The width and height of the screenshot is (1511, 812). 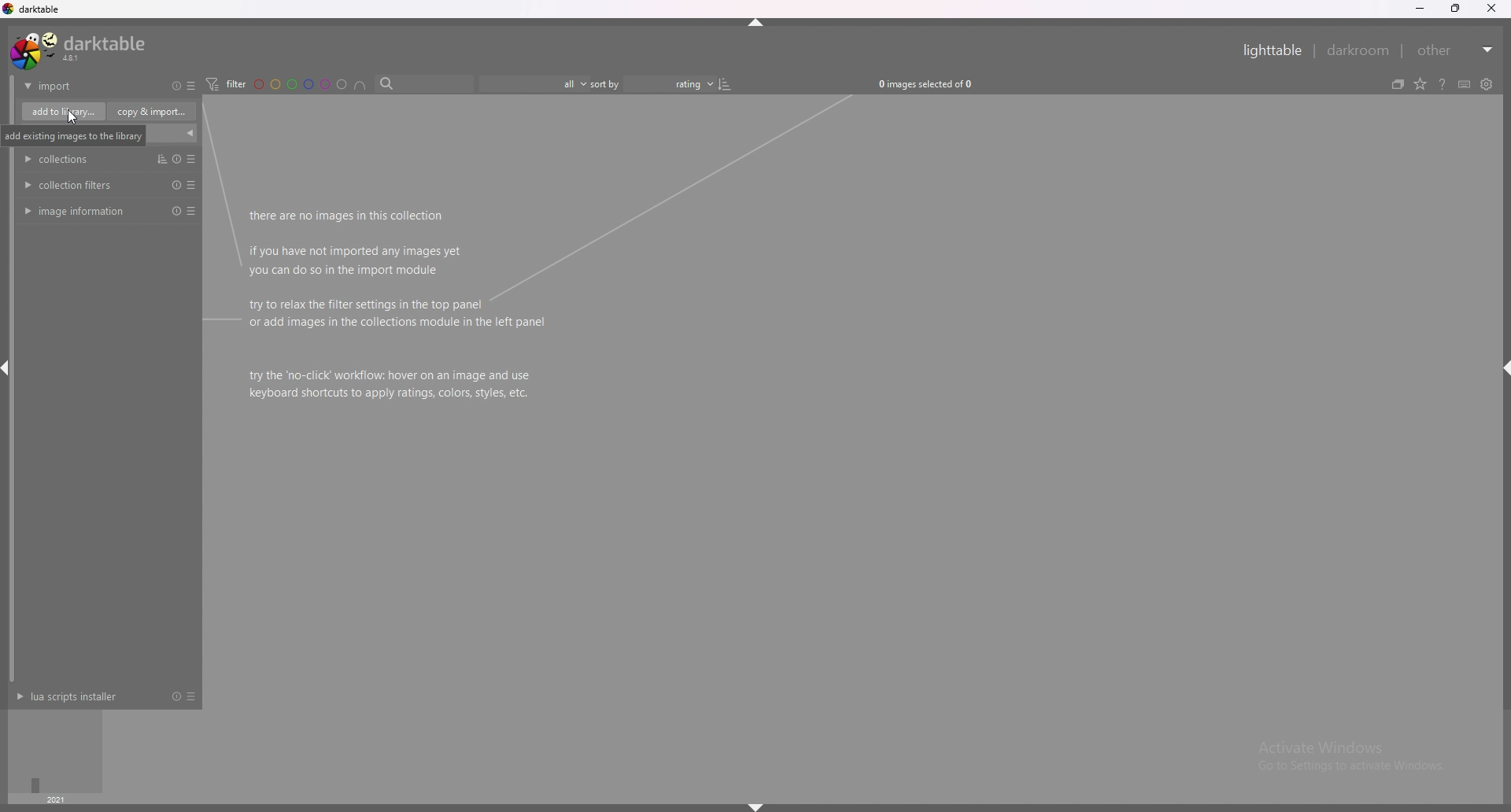 I want to click on reset, so click(x=177, y=87).